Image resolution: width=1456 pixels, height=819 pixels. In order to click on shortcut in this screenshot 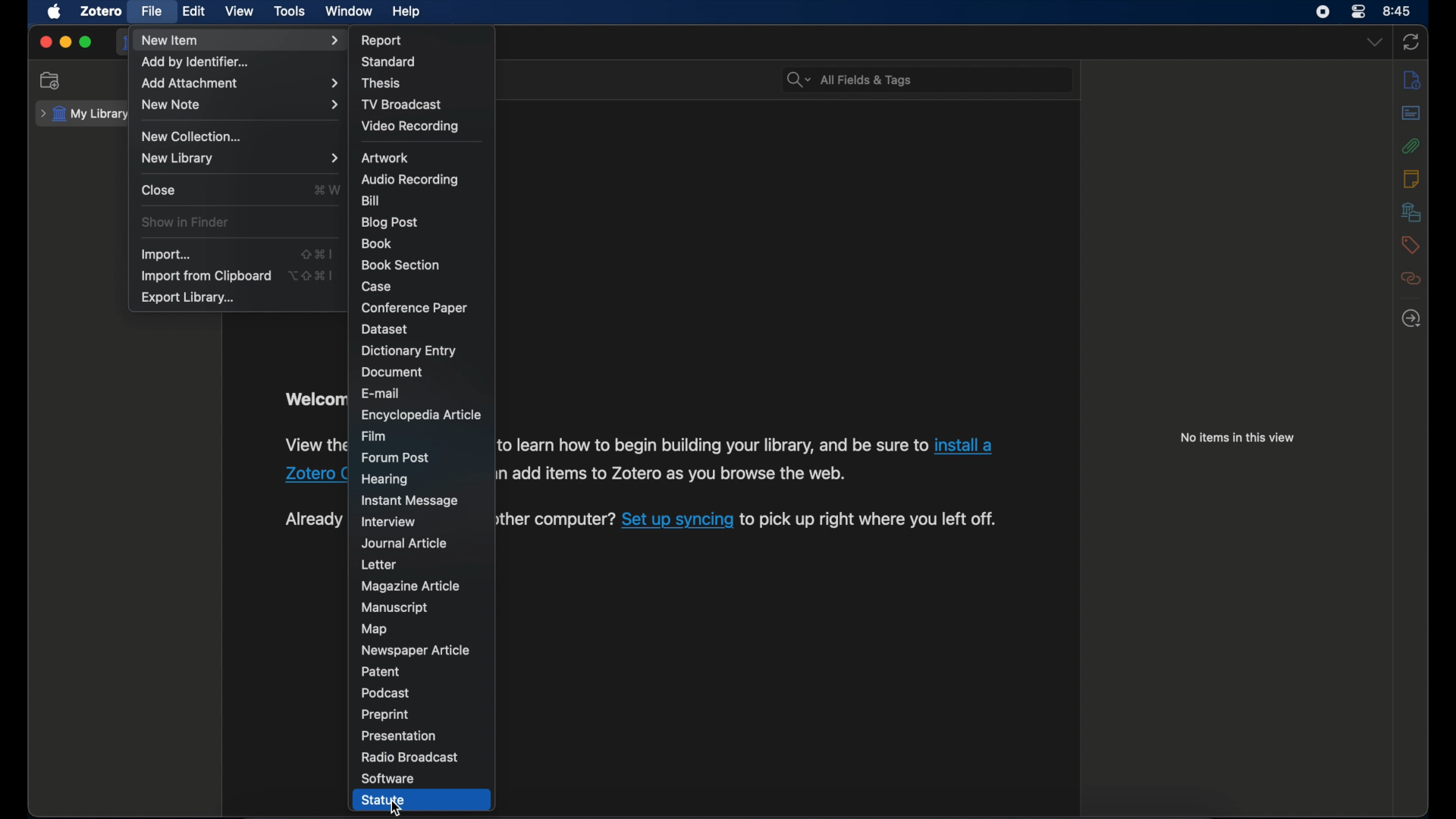, I will do `click(310, 276)`.